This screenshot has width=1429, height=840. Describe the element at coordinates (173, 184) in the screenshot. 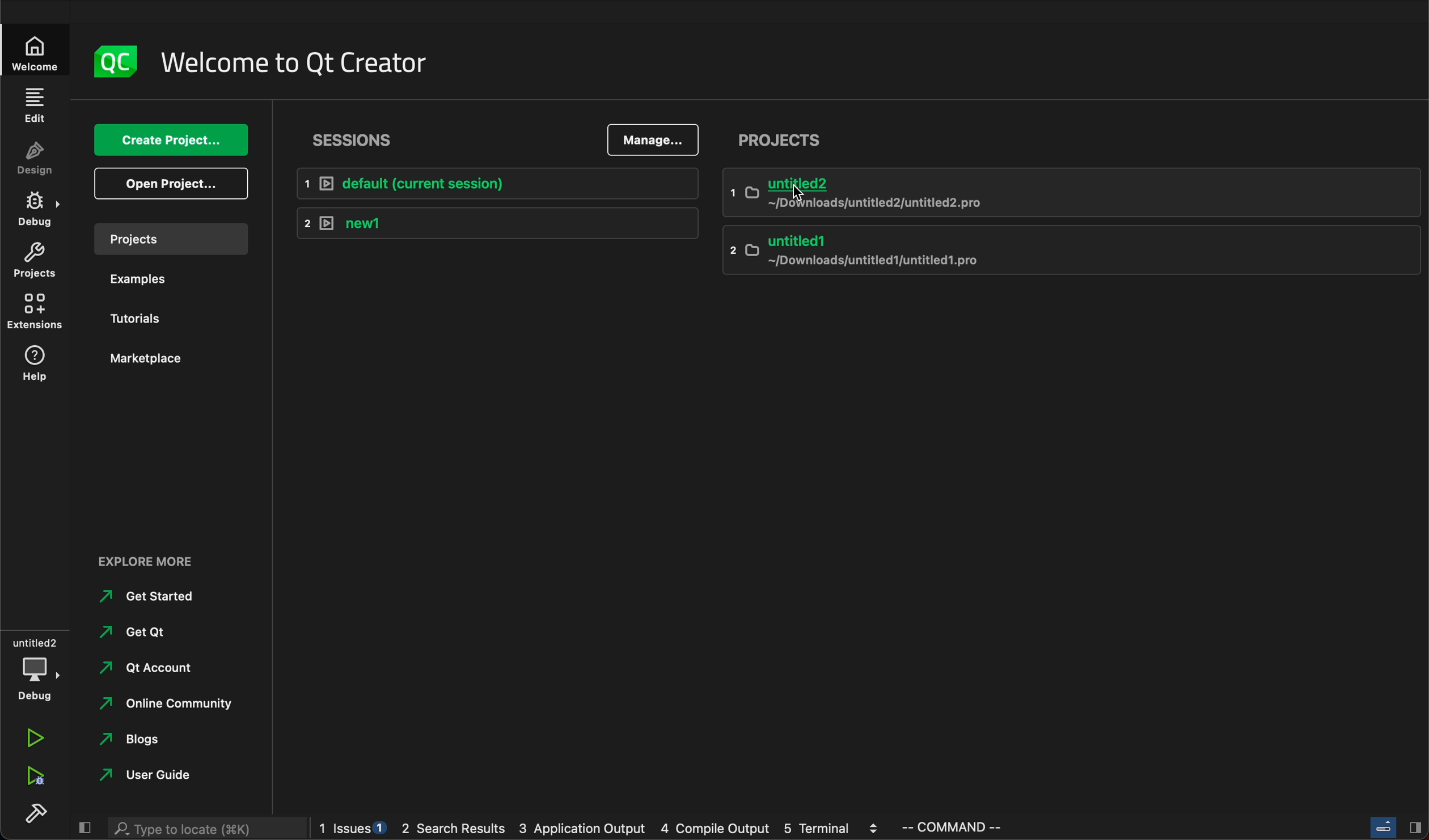

I see `open` at that location.